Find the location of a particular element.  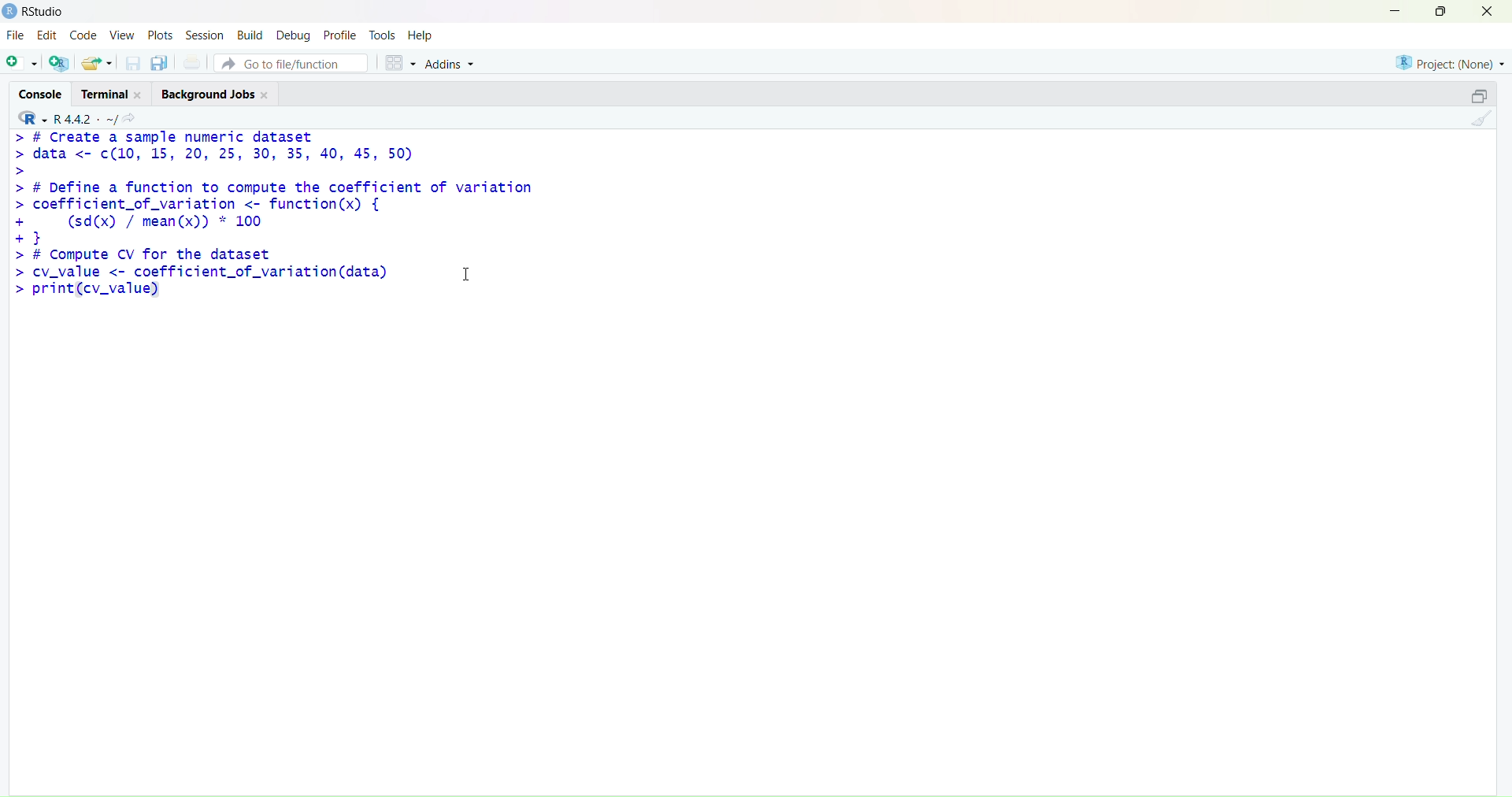

Close  is located at coordinates (266, 95).